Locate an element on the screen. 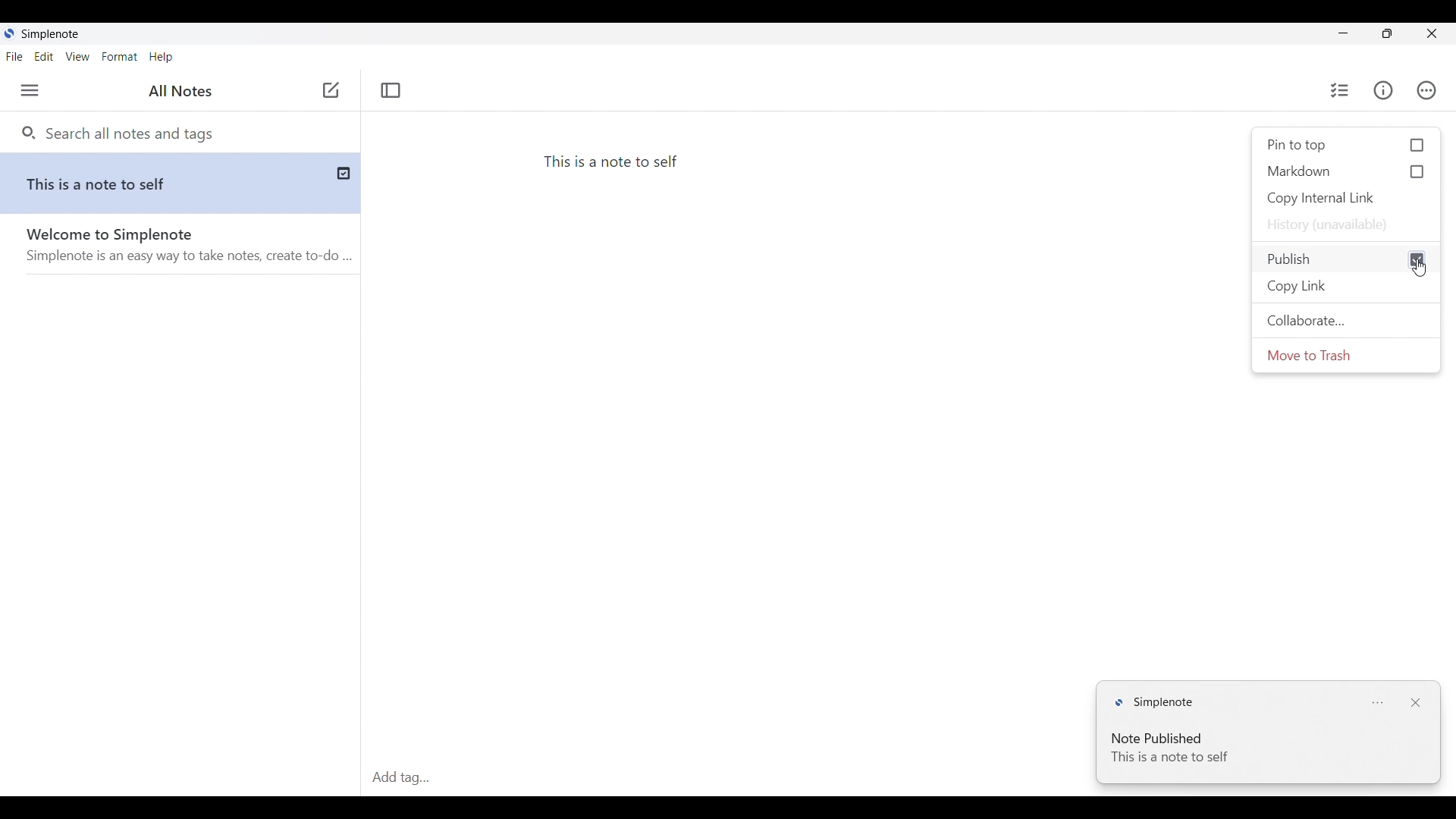 This screenshot has height=819, width=1456. Collaborate is located at coordinates (1345, 321).